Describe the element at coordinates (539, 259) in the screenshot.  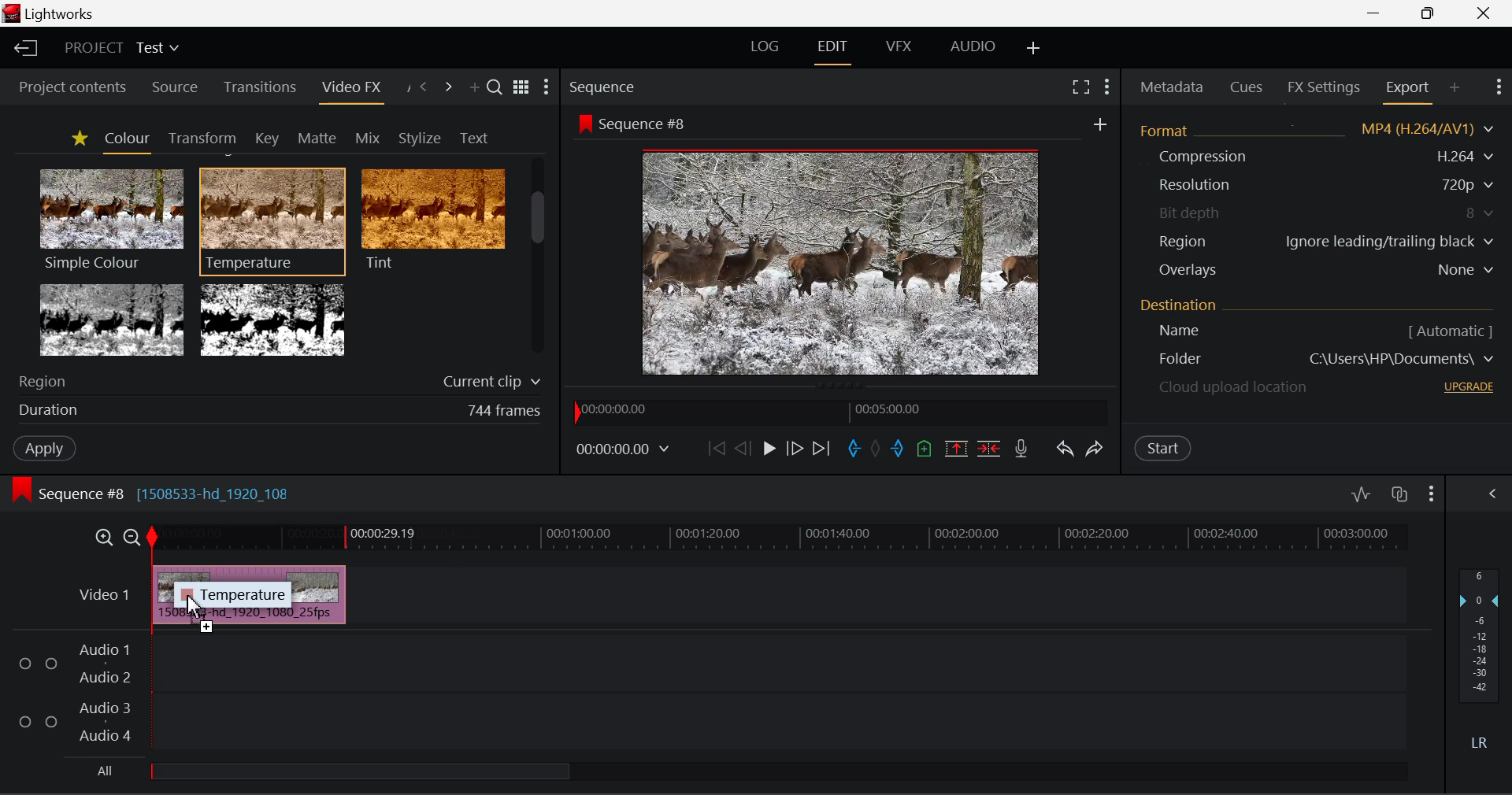
I see `Scroll Bar` at that location.